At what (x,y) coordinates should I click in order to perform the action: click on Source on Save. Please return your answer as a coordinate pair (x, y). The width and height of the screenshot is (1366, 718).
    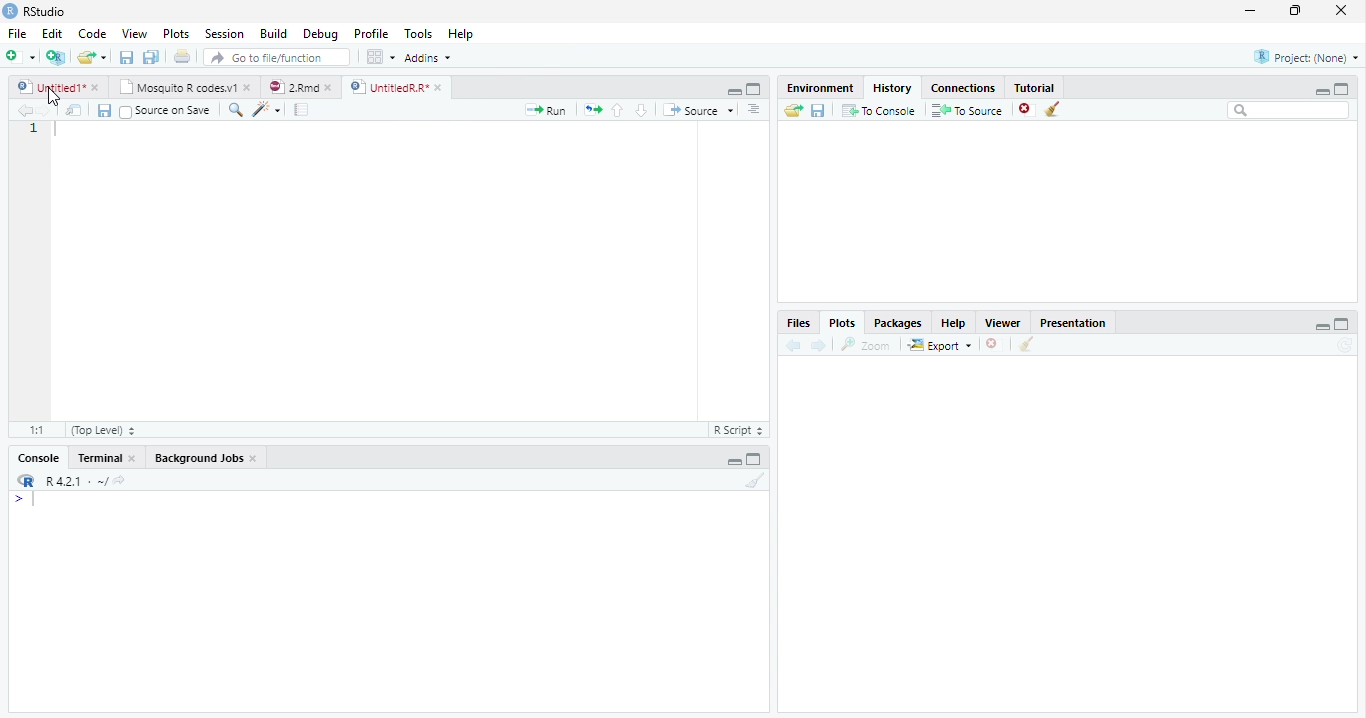
    Looking at the image, I should click on (165, 111).